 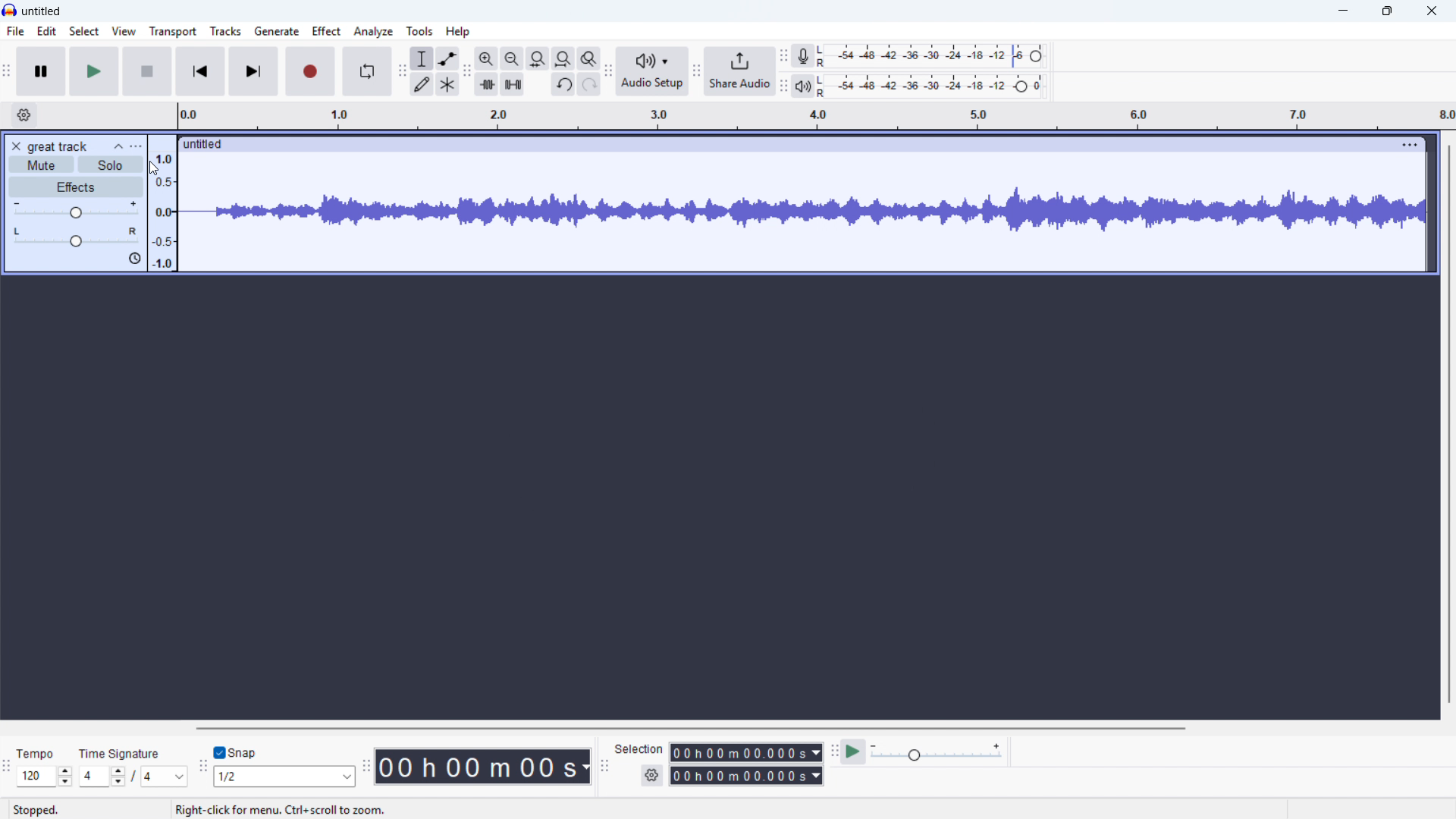 I want to click on Track options , so click(x=1410, y=144).